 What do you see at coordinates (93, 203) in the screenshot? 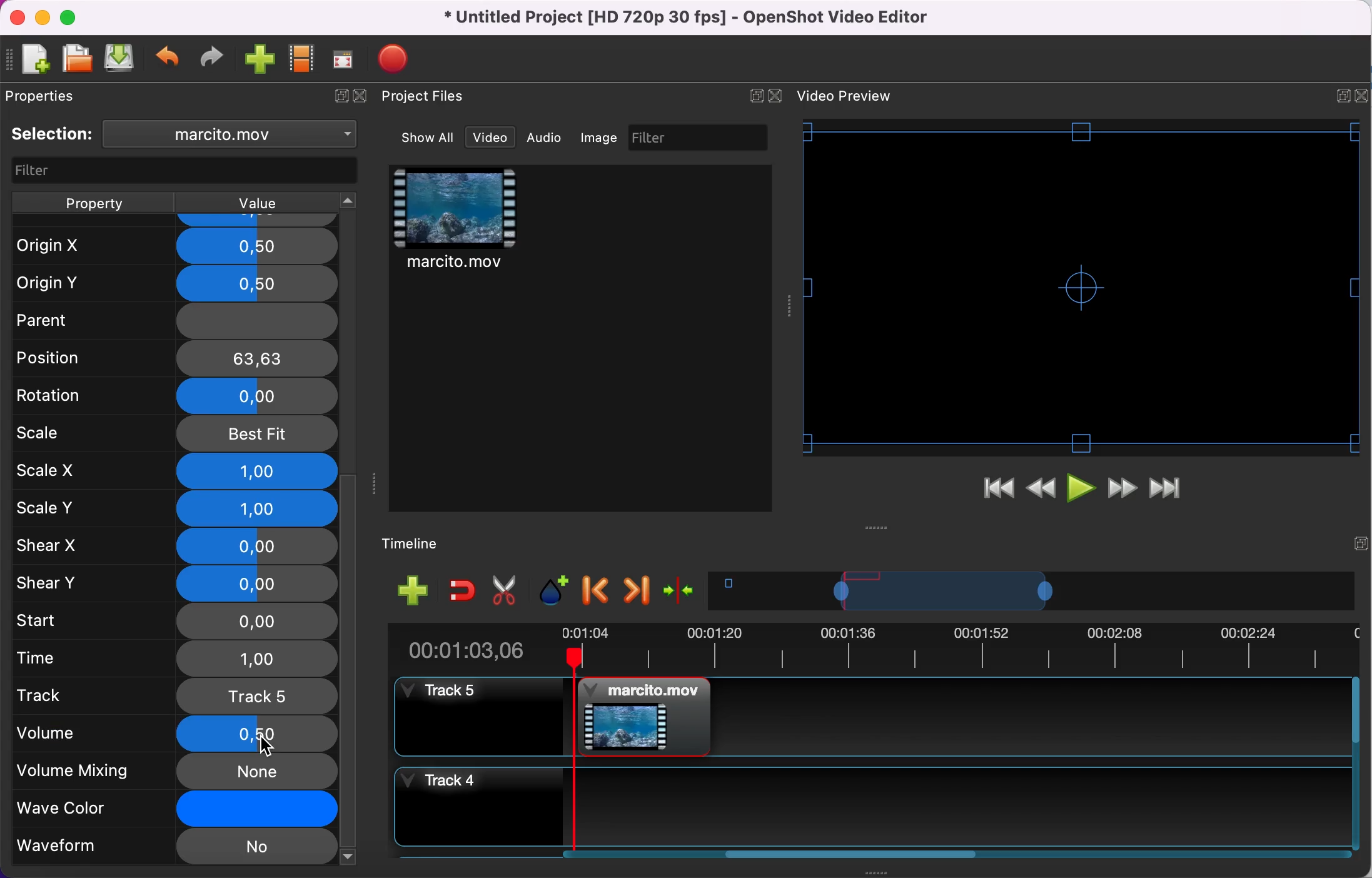
I see `property` at bounding box center [93, 203].